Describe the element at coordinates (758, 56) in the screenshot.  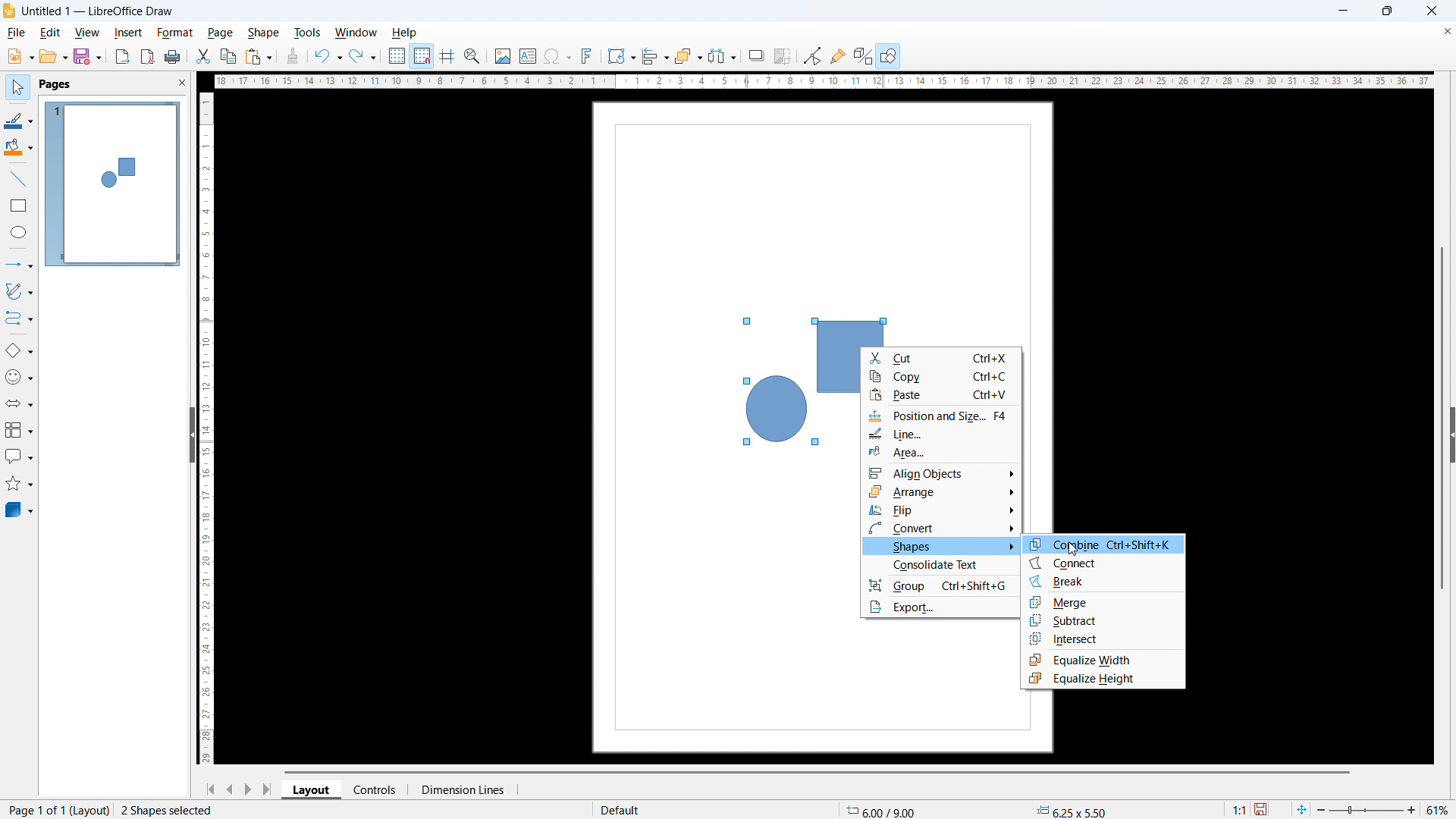
I see `shadow` at that location.